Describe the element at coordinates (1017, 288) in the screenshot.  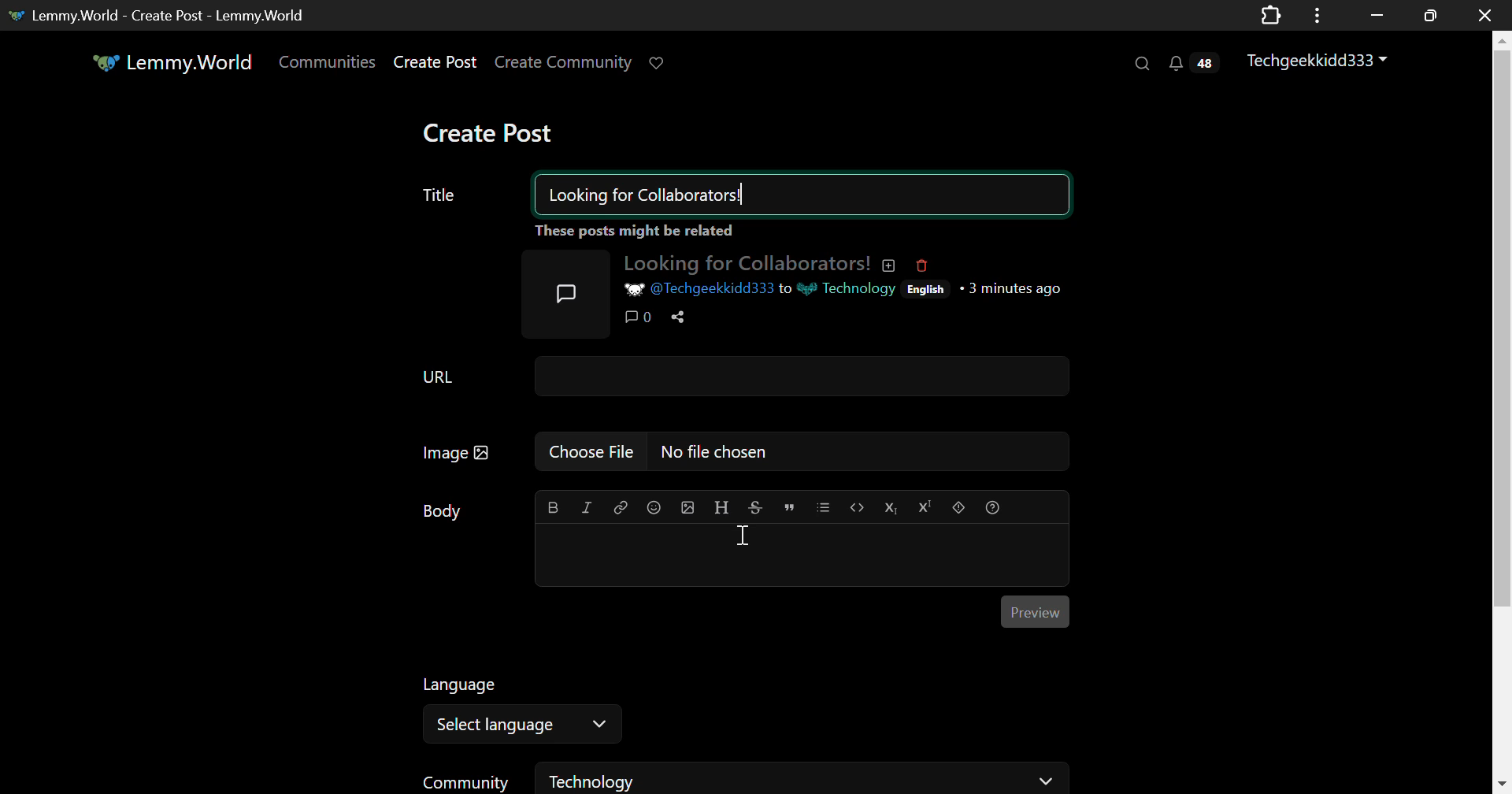
I see `3 minutes ago` at that location.